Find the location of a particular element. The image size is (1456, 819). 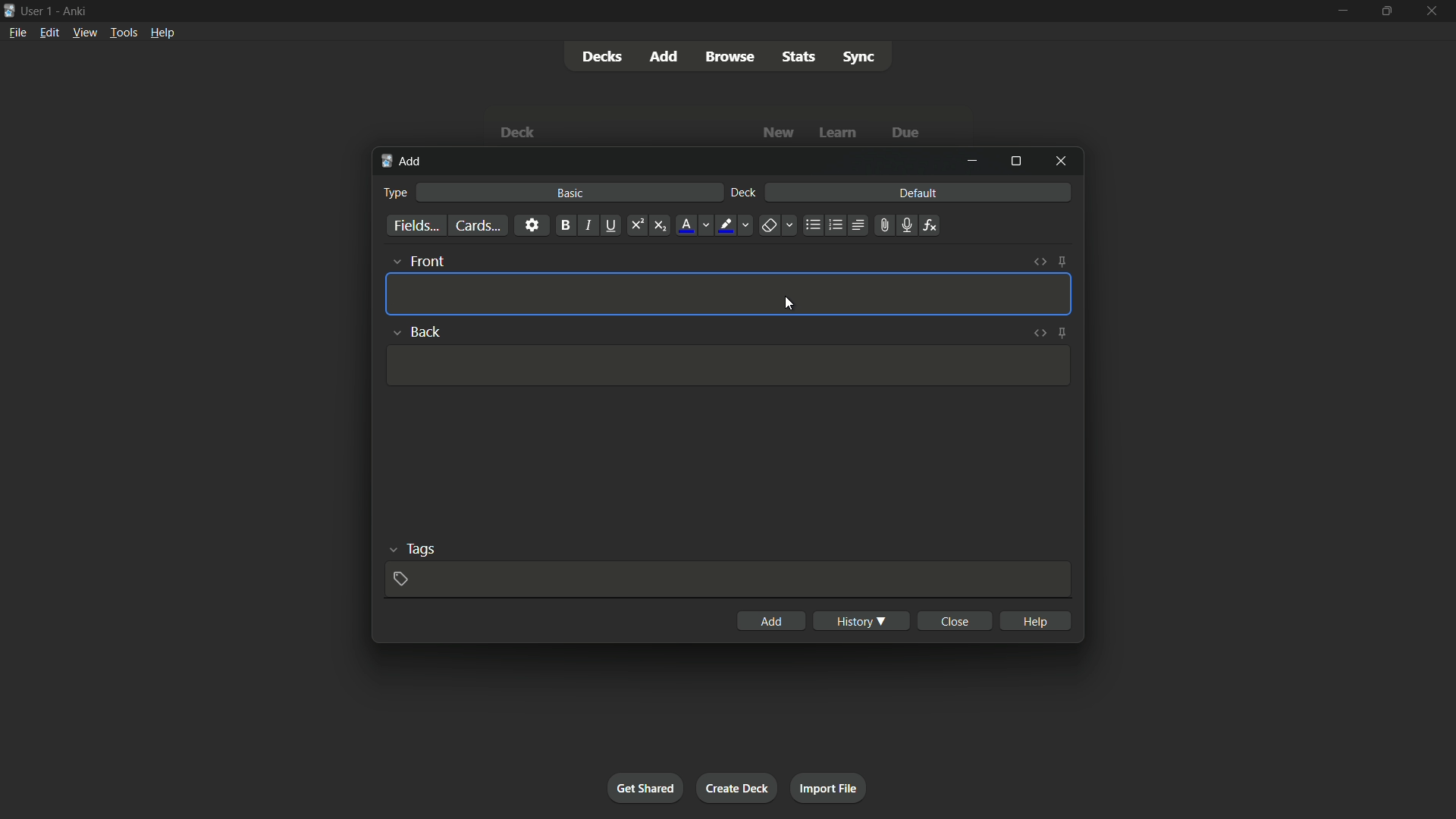

close is located at coordinates (957, 620).